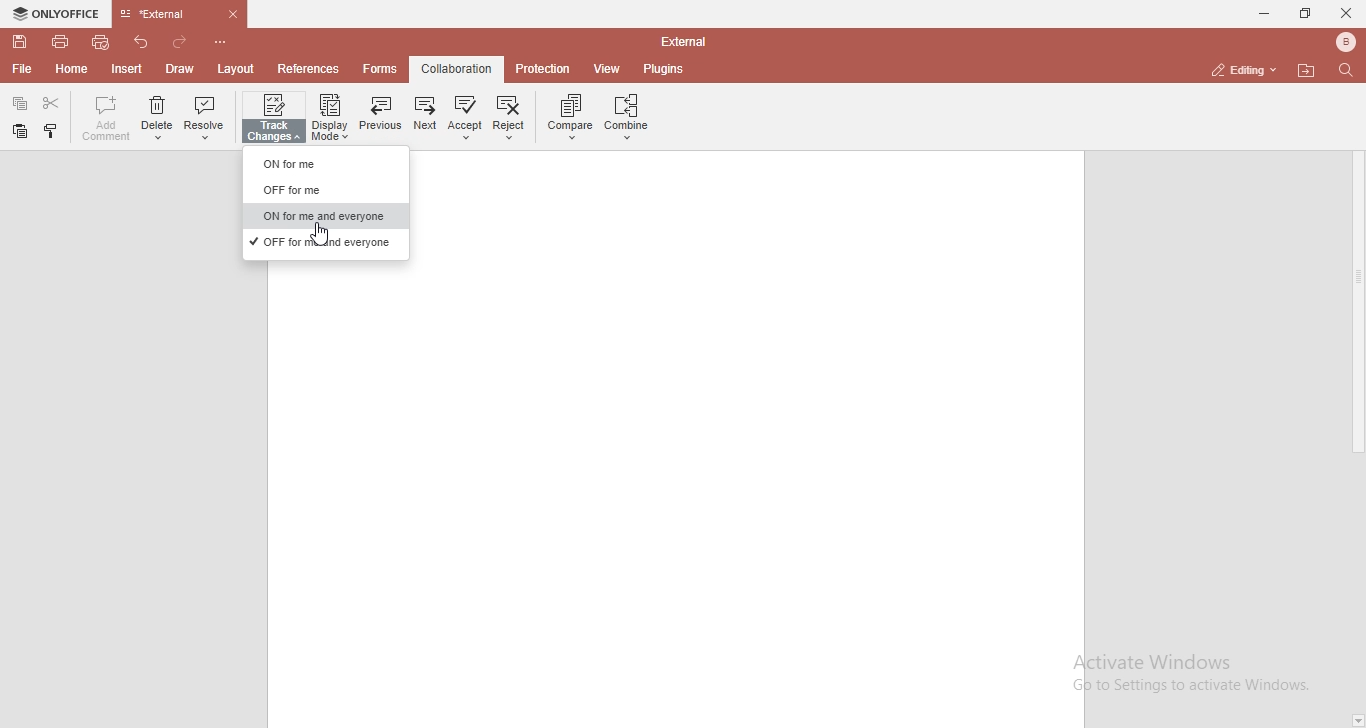  I want to click on paste speacial, so click(20, 102).